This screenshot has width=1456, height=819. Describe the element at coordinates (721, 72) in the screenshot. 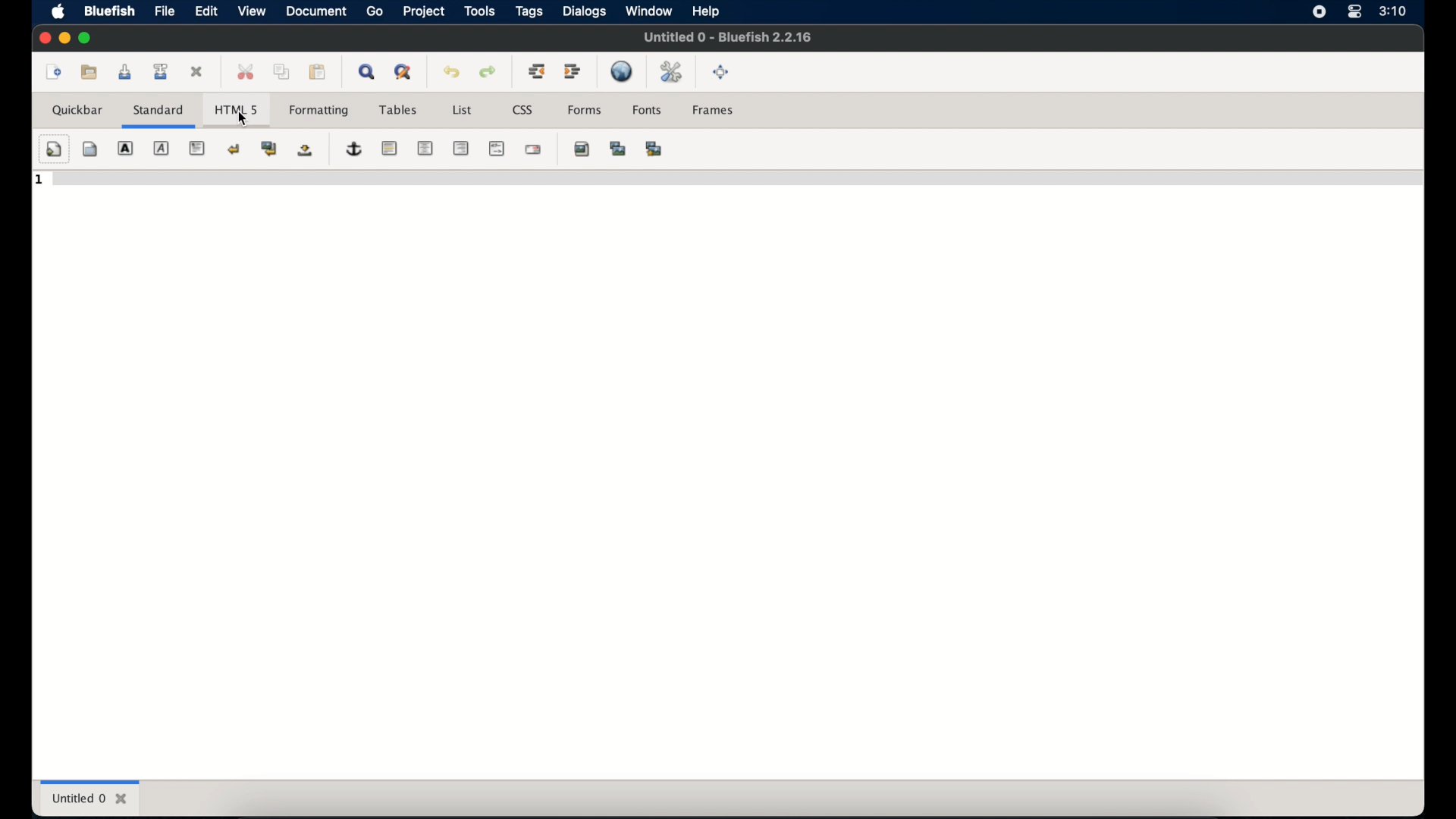

I see `fullscreen ` at that location.